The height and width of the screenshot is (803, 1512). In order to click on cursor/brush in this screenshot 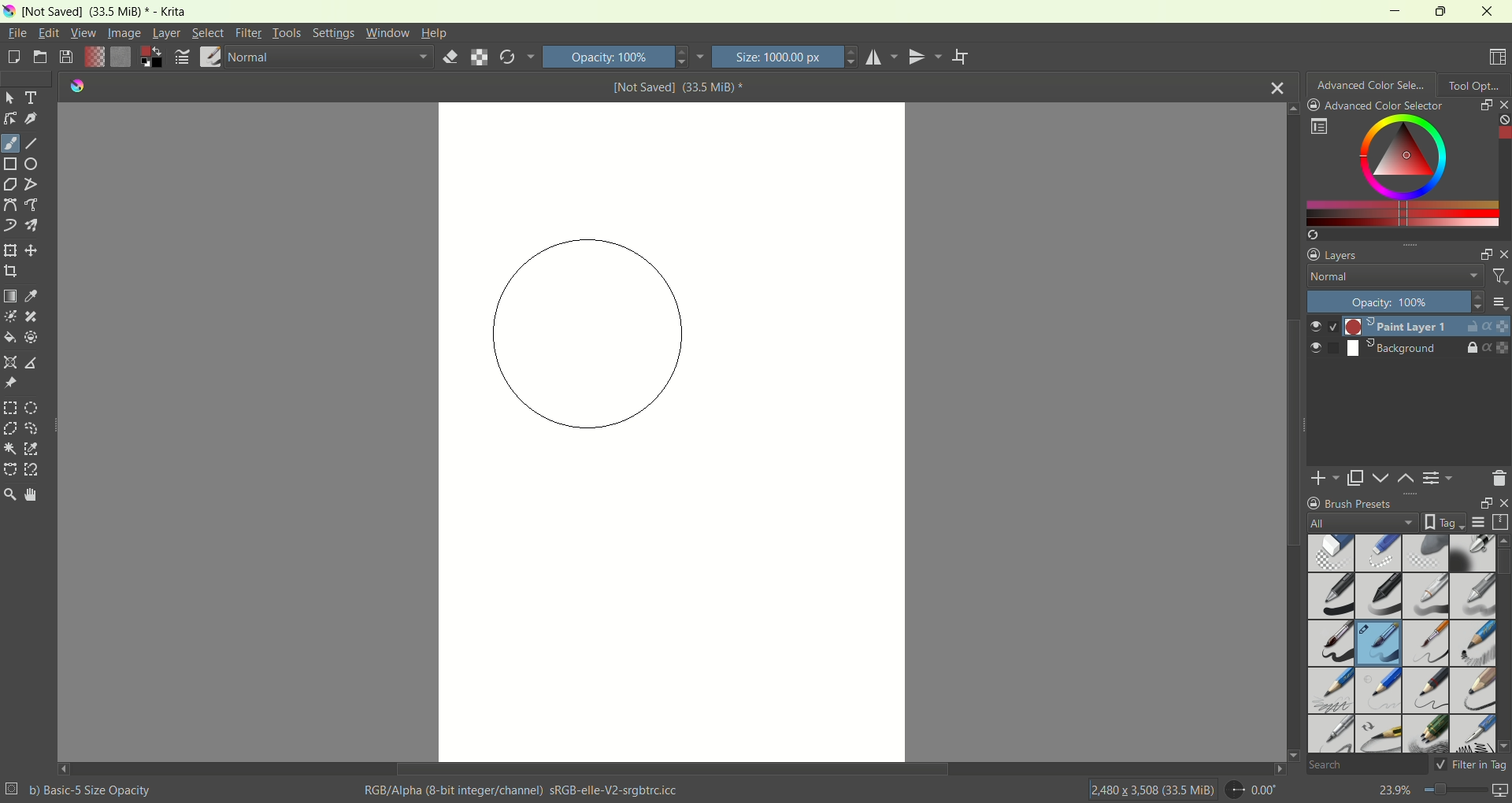, I will do `click(592, 328)`.